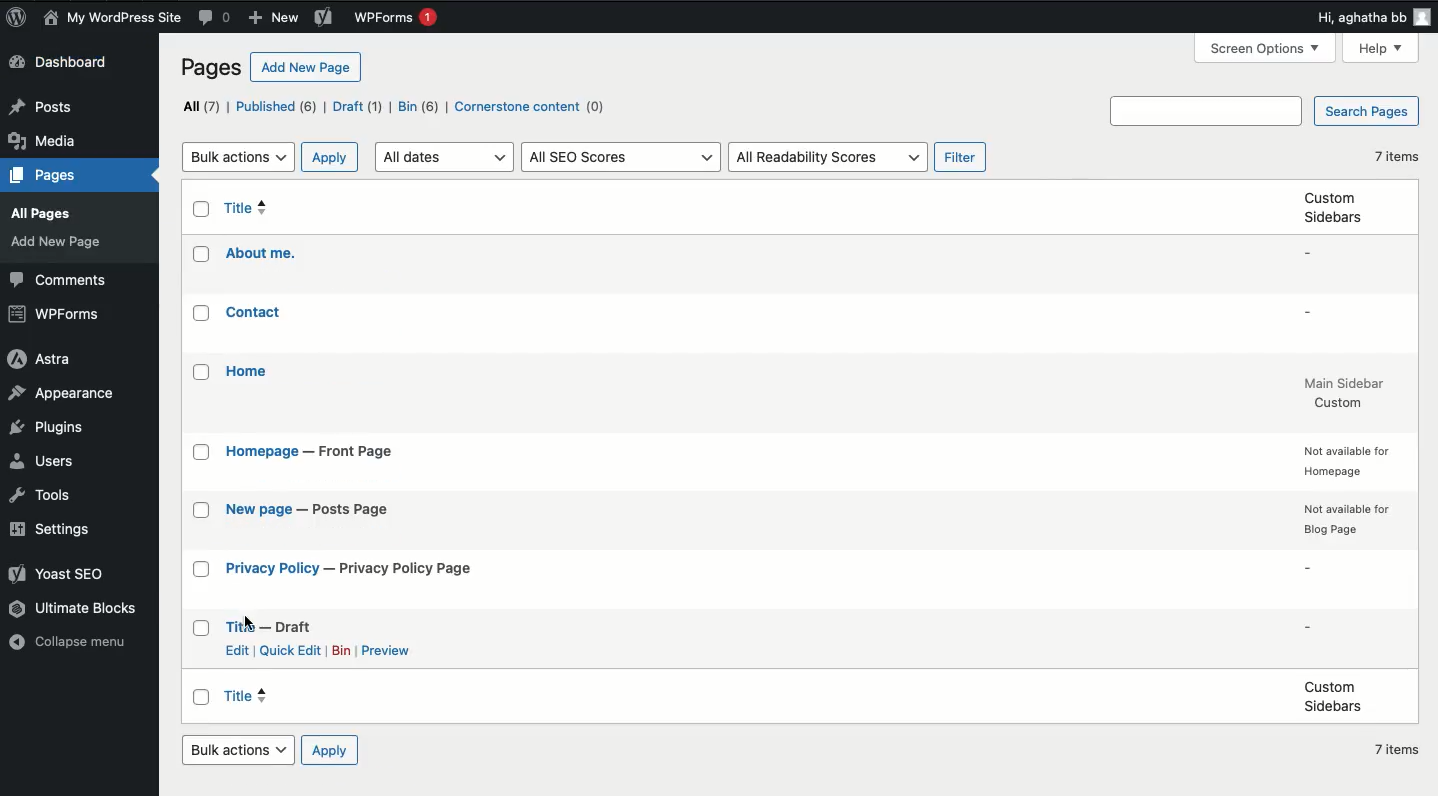 This screenshot has width=1438, height=796. Describe the element at coordinates (59, 574) in the screenshot. I see `Yoast` at that location.